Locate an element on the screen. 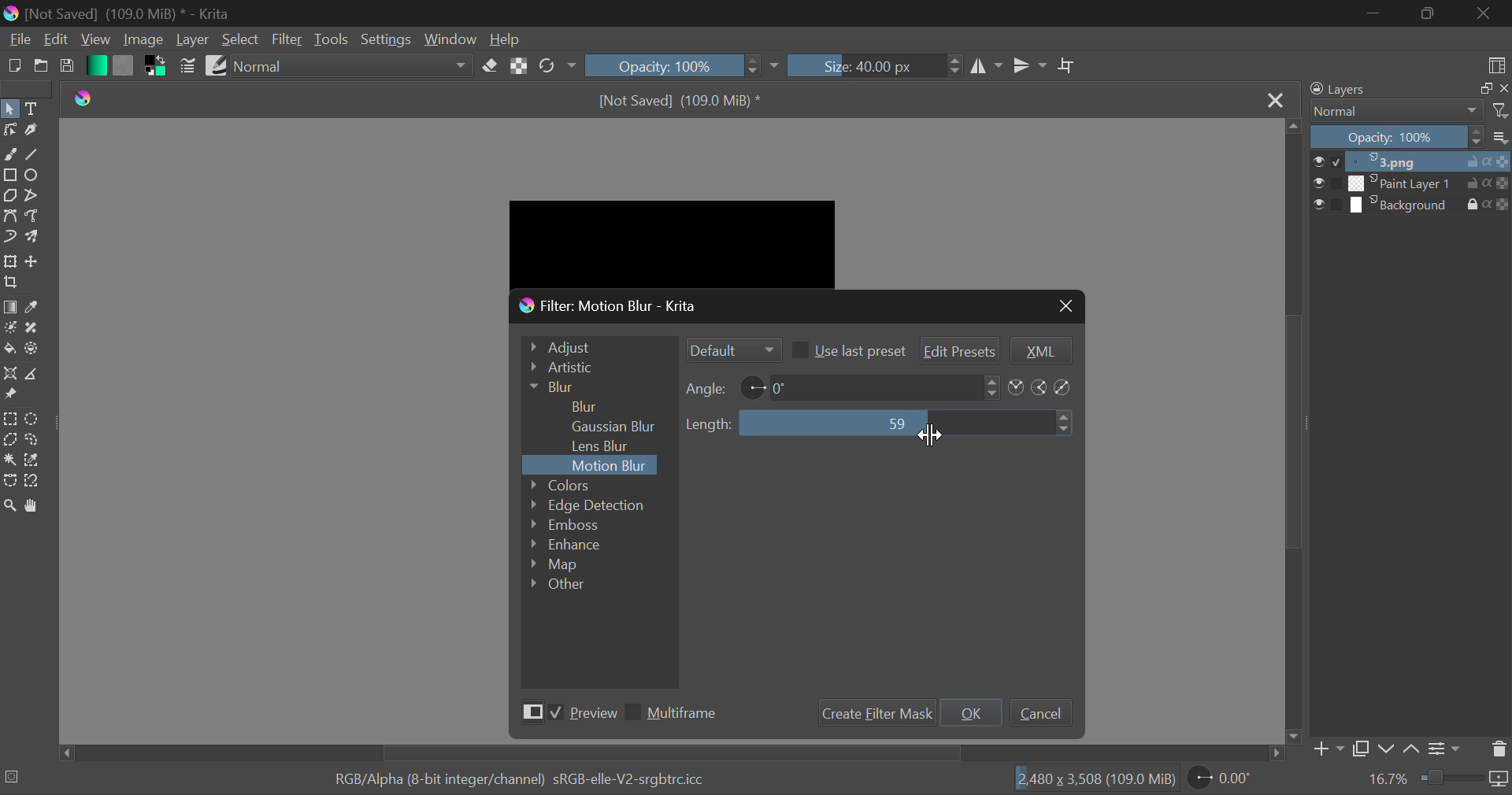 This screenshot has height=795, width=1512. Circular Selection Tool is located at coordinates (35, 420).